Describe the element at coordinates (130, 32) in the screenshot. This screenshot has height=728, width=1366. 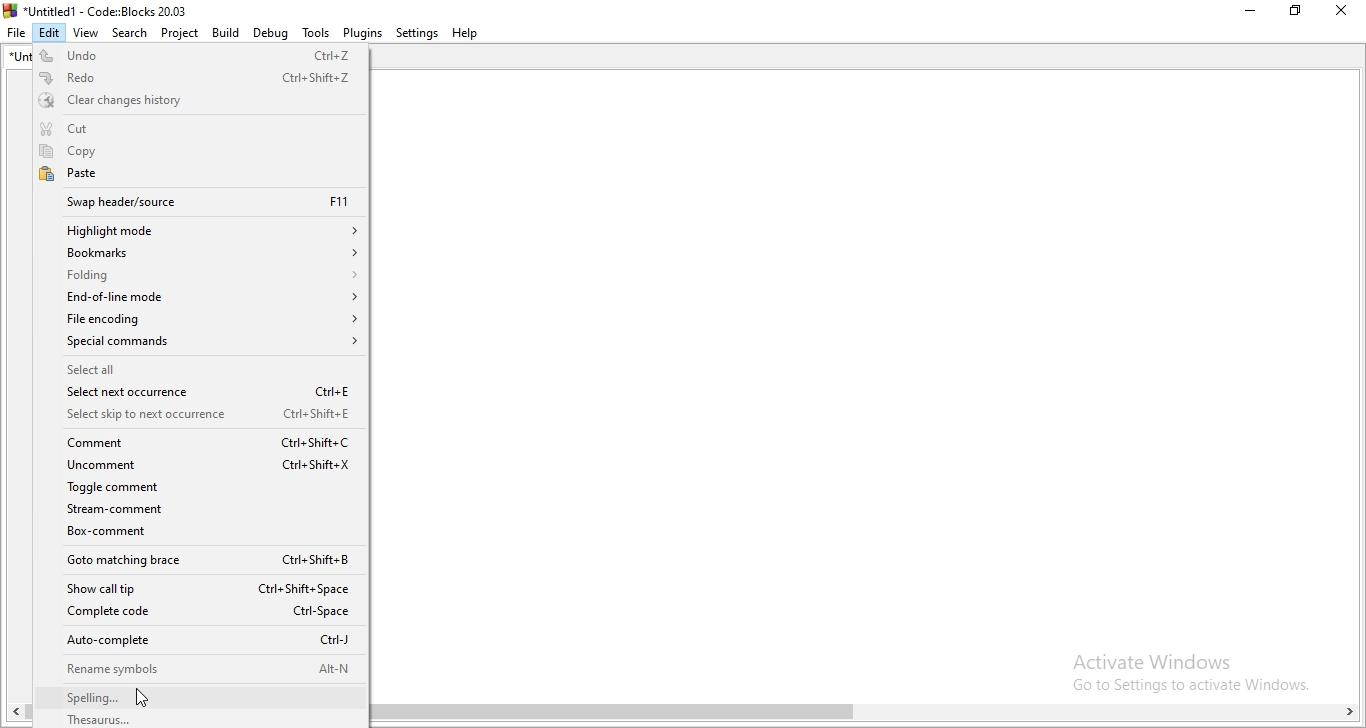
I see `search` at that location.